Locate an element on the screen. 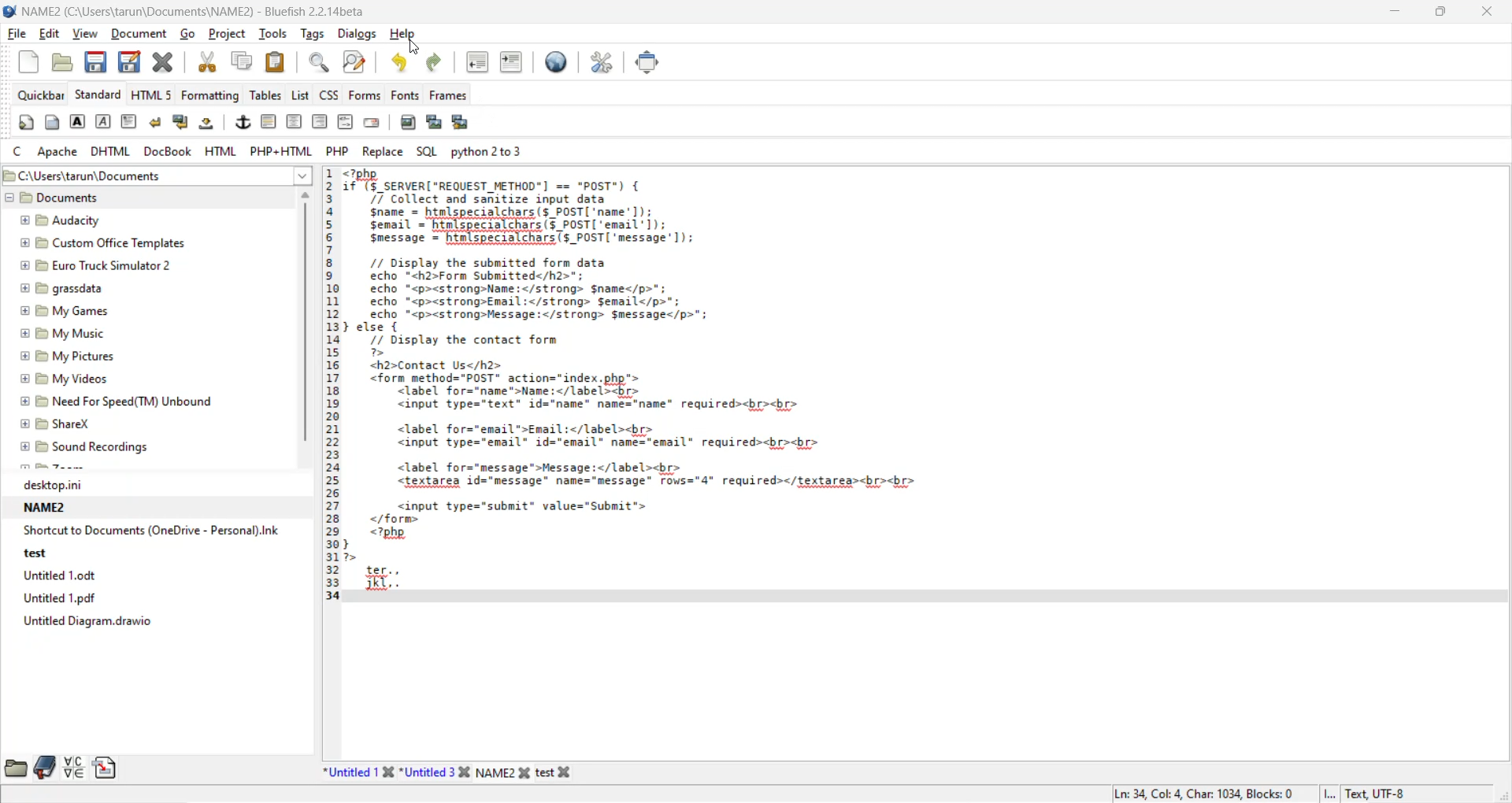 This screenshot has height=803, width=1512. Untitled 1.pdf is located at coordinates (56, 598).